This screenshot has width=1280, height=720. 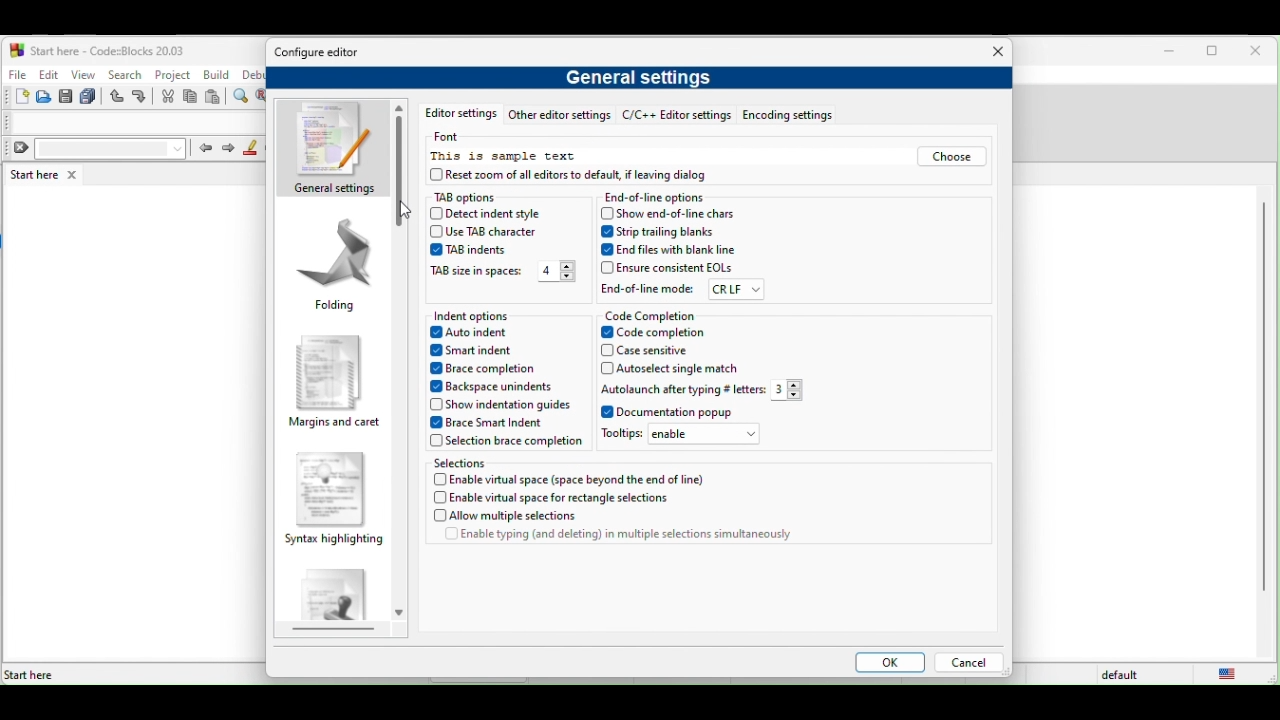 I want to click on editor setting, so click(x=456, y=115).